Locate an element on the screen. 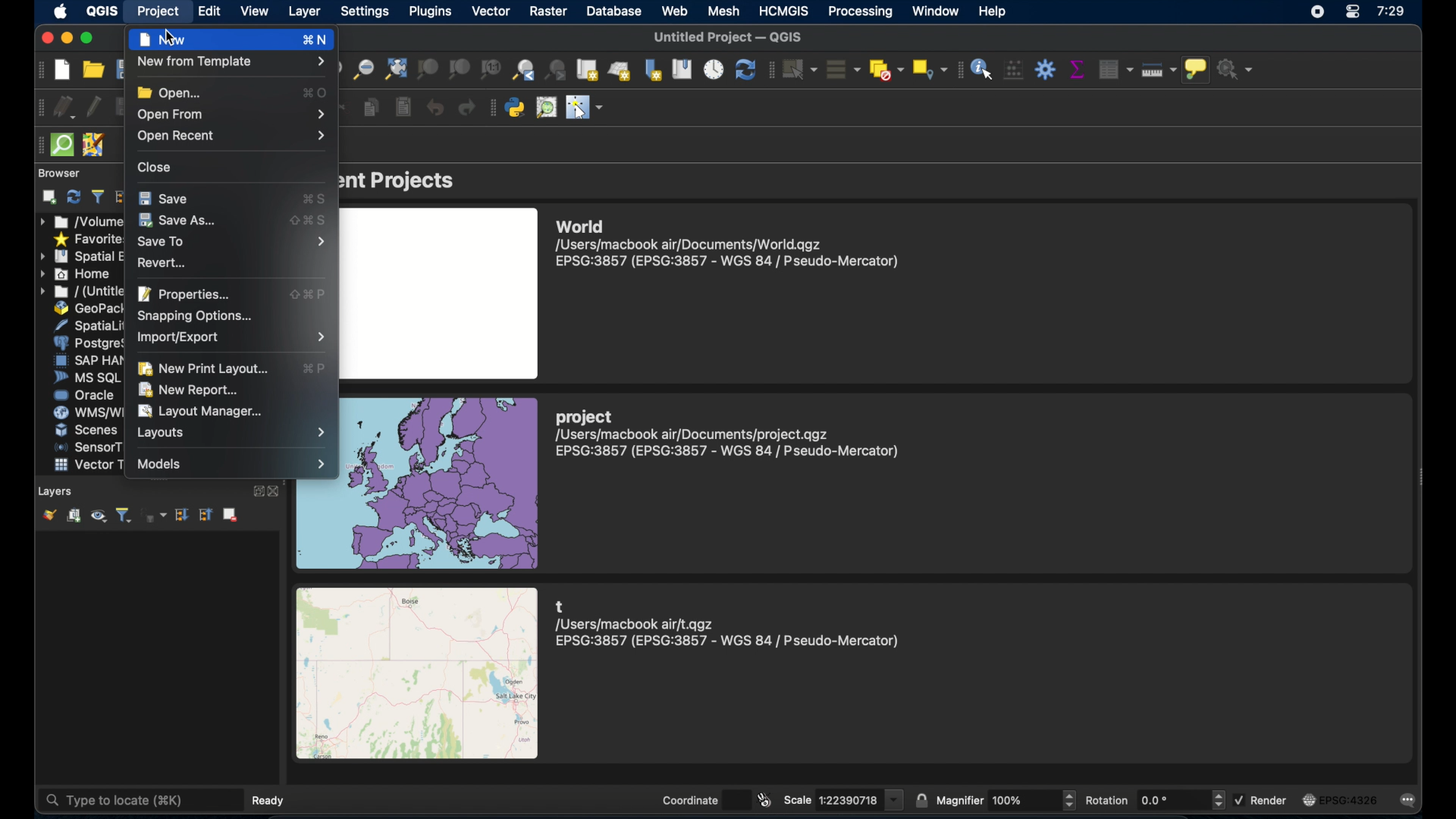 Image resolution: width=1456 pixels, height=819 pixels. filterlegend is located at coordinates (122, 515).